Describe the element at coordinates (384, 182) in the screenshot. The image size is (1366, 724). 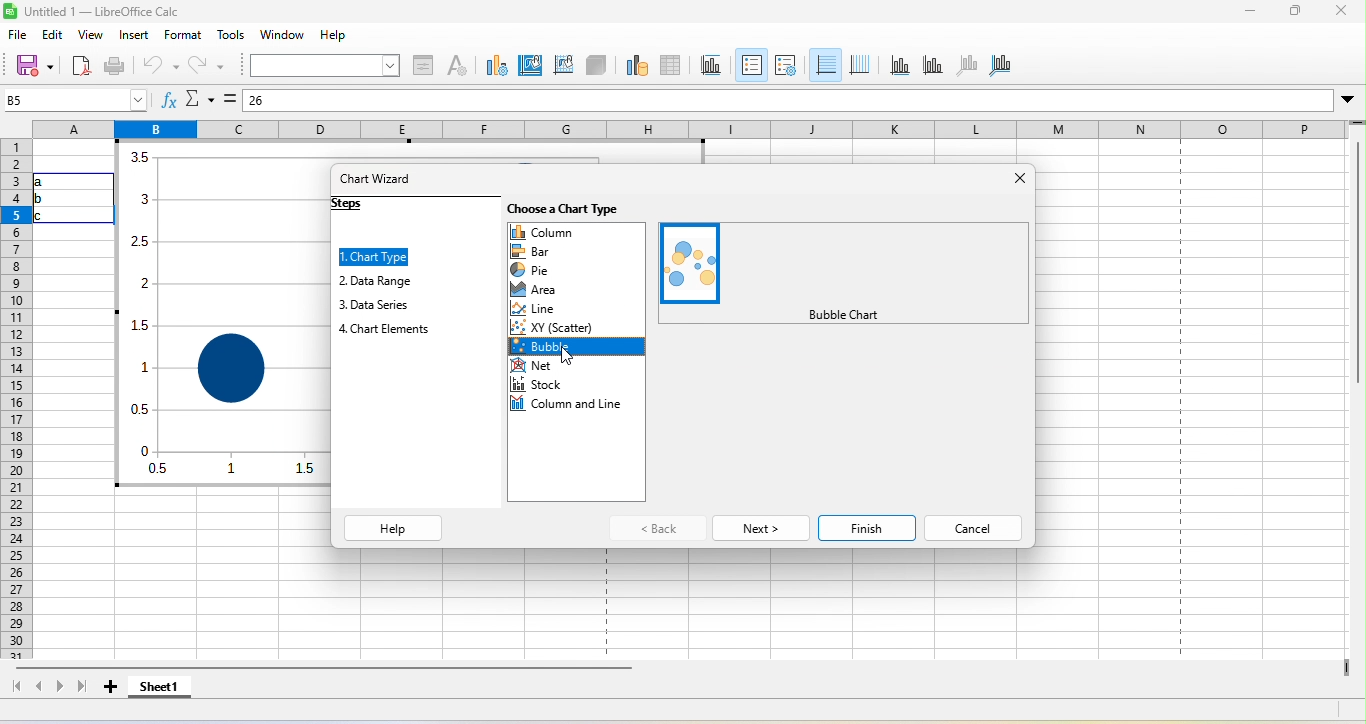
I see `chart wizard` at that location.